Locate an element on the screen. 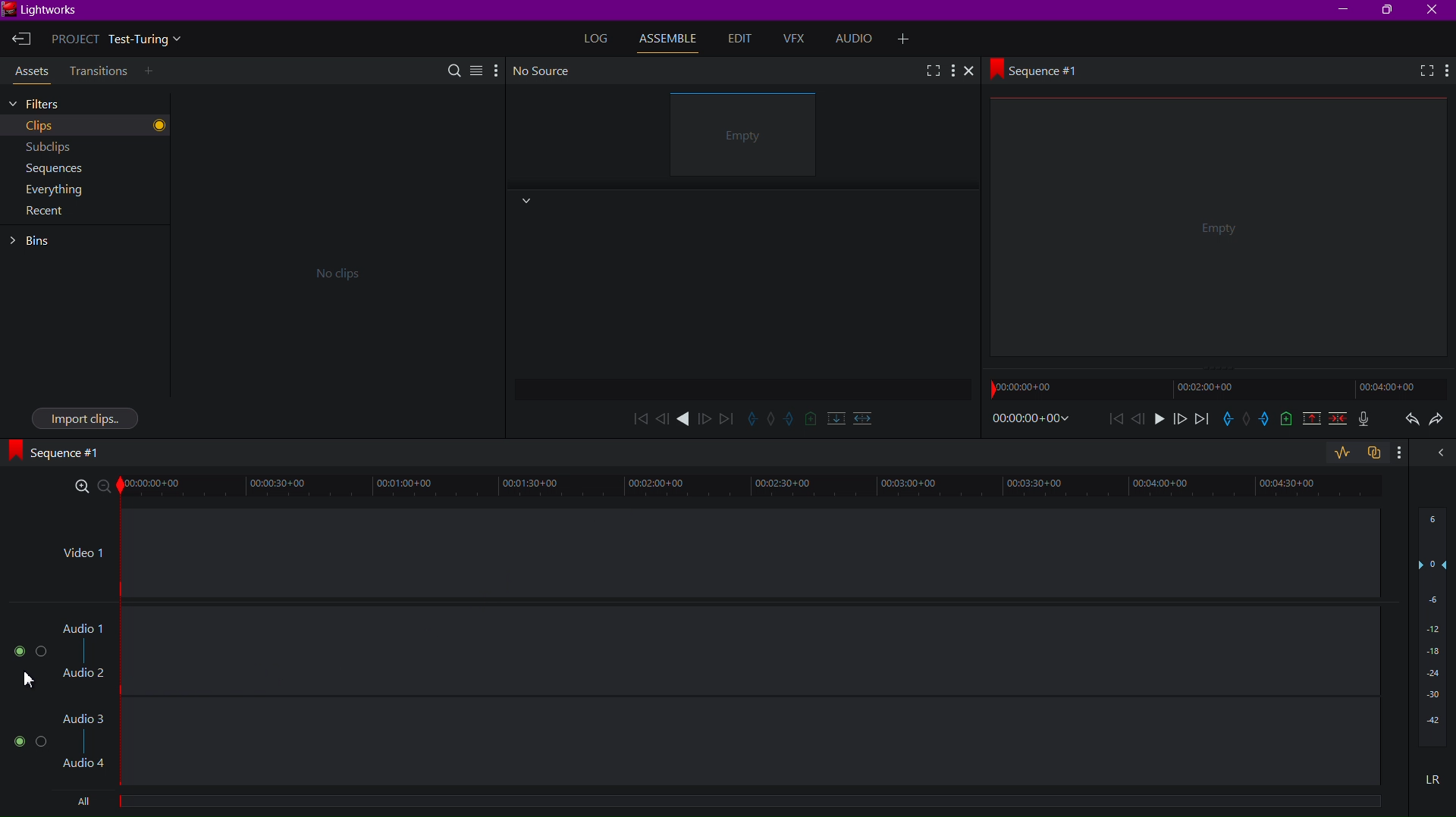 This screenshot has width=1456, height=817. Audio 4 is located at coordinates (87, 766).